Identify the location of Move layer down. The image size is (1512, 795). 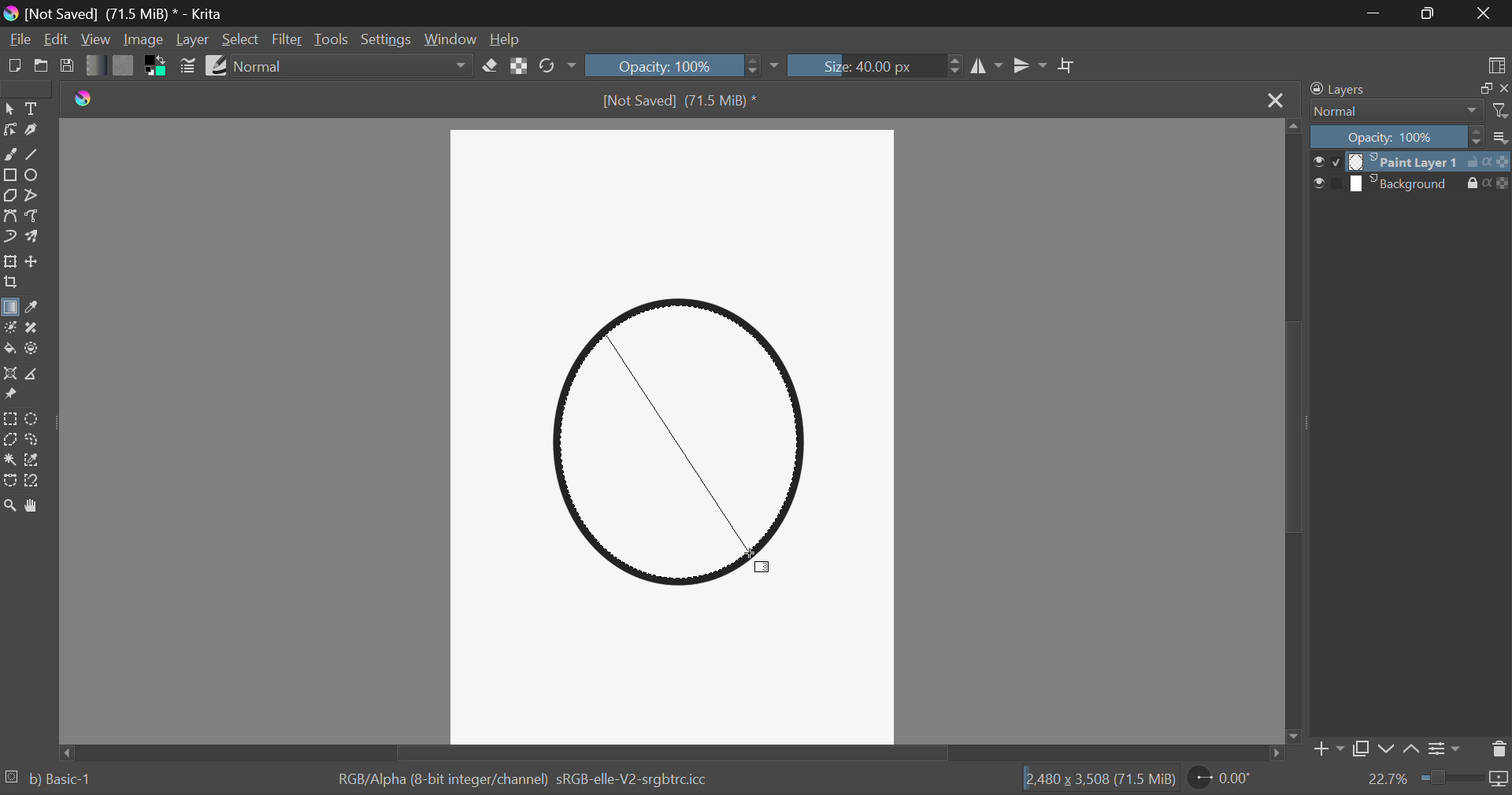
(1387, 751).